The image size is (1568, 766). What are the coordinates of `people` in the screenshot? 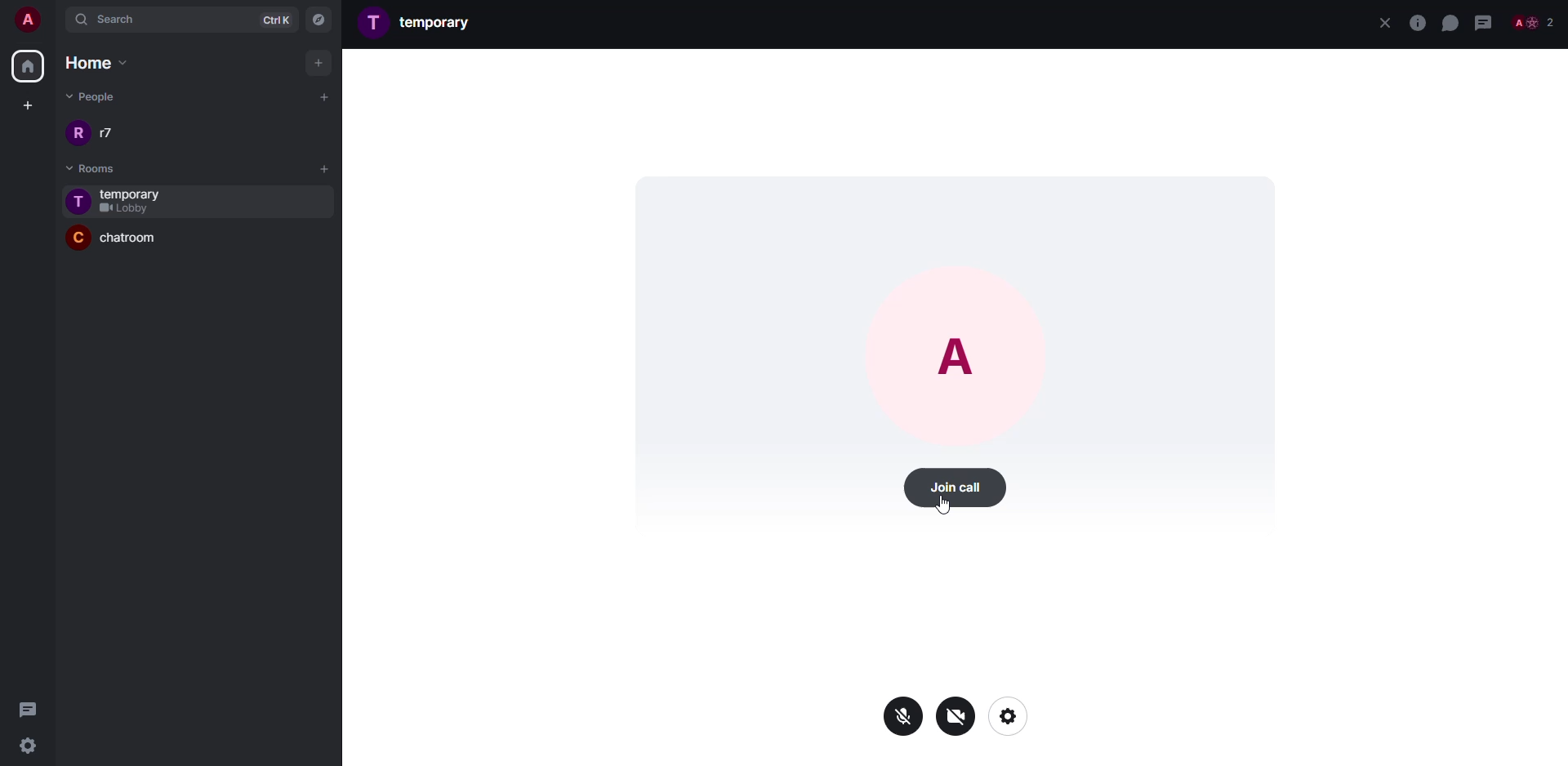 It's located at (1535, 22).